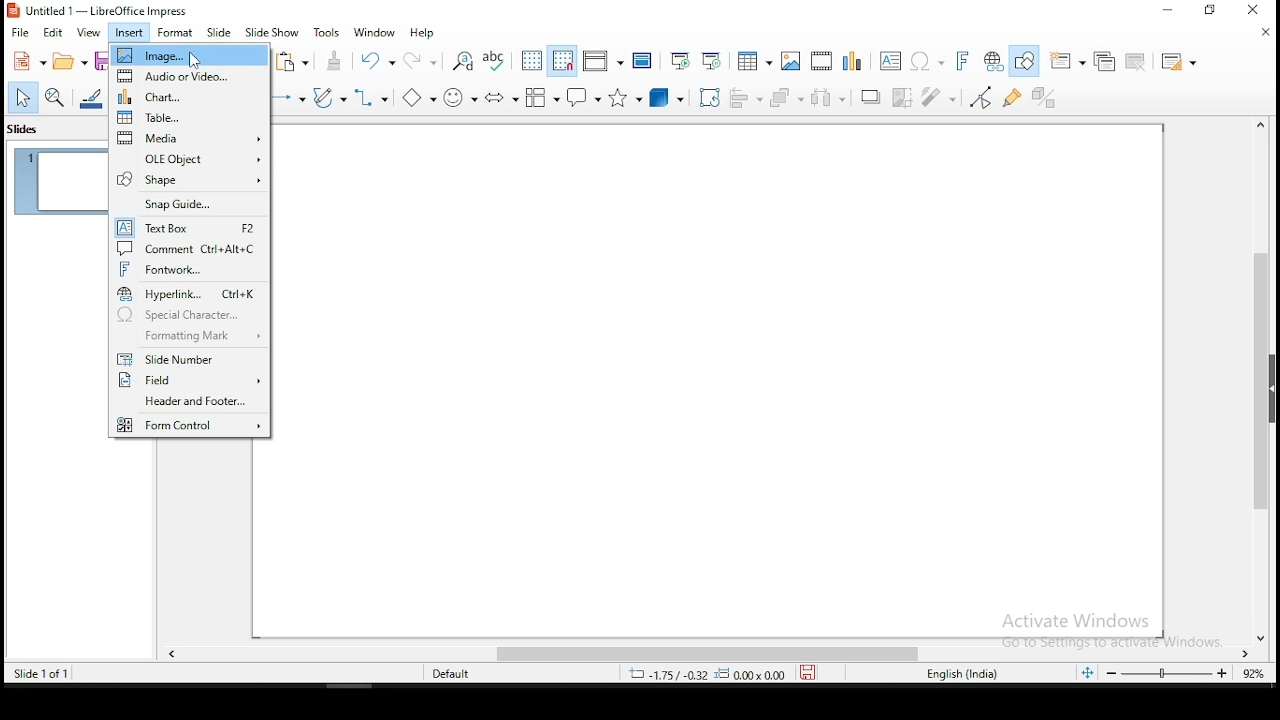  I want to click on 92%, so click(1254, 675).